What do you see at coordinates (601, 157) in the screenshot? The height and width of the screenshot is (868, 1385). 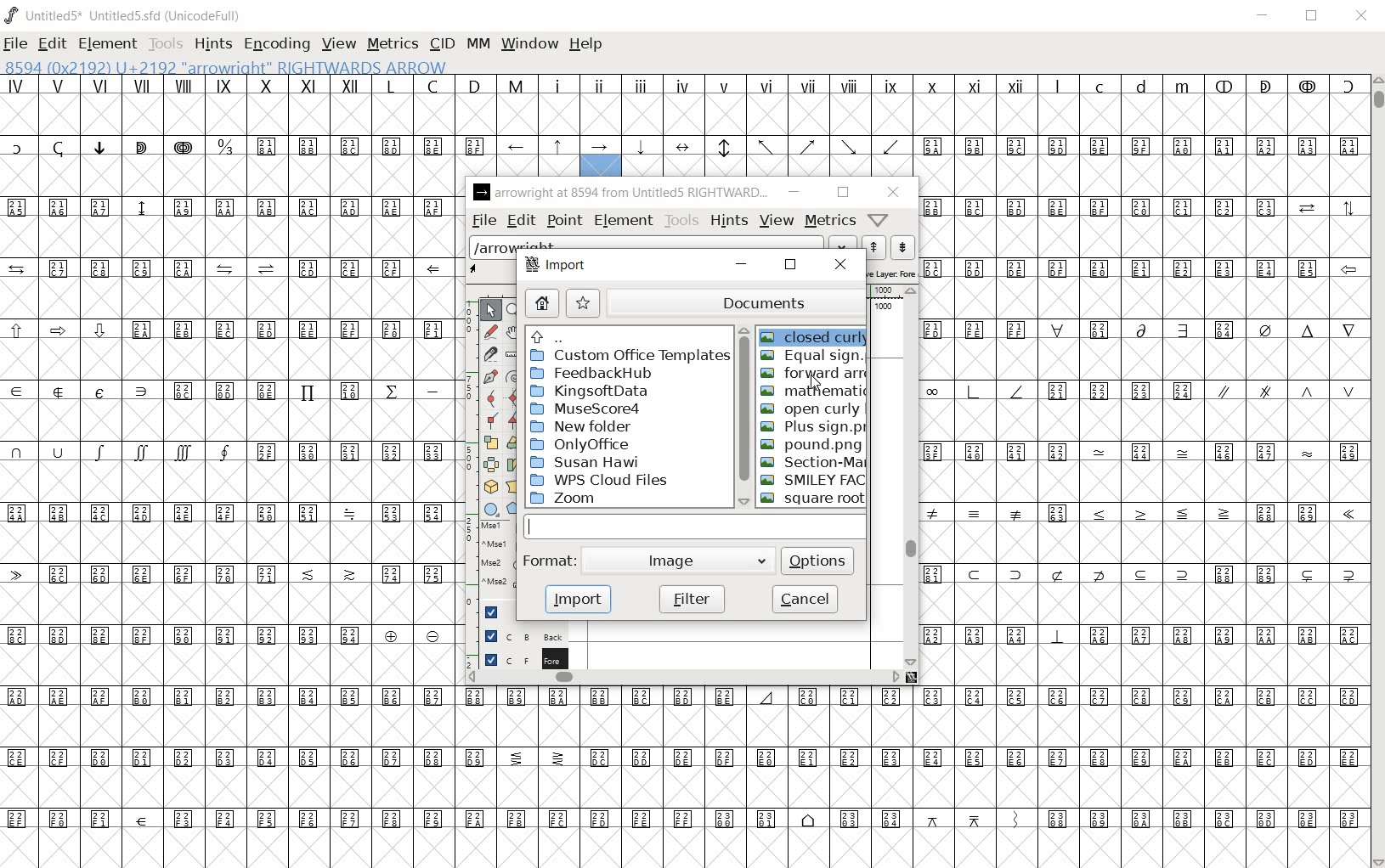 I see `8594 (0x2192) U+2192 "arrowright" RIGHTWARDS ARROW` at bounding box center [601, 157].